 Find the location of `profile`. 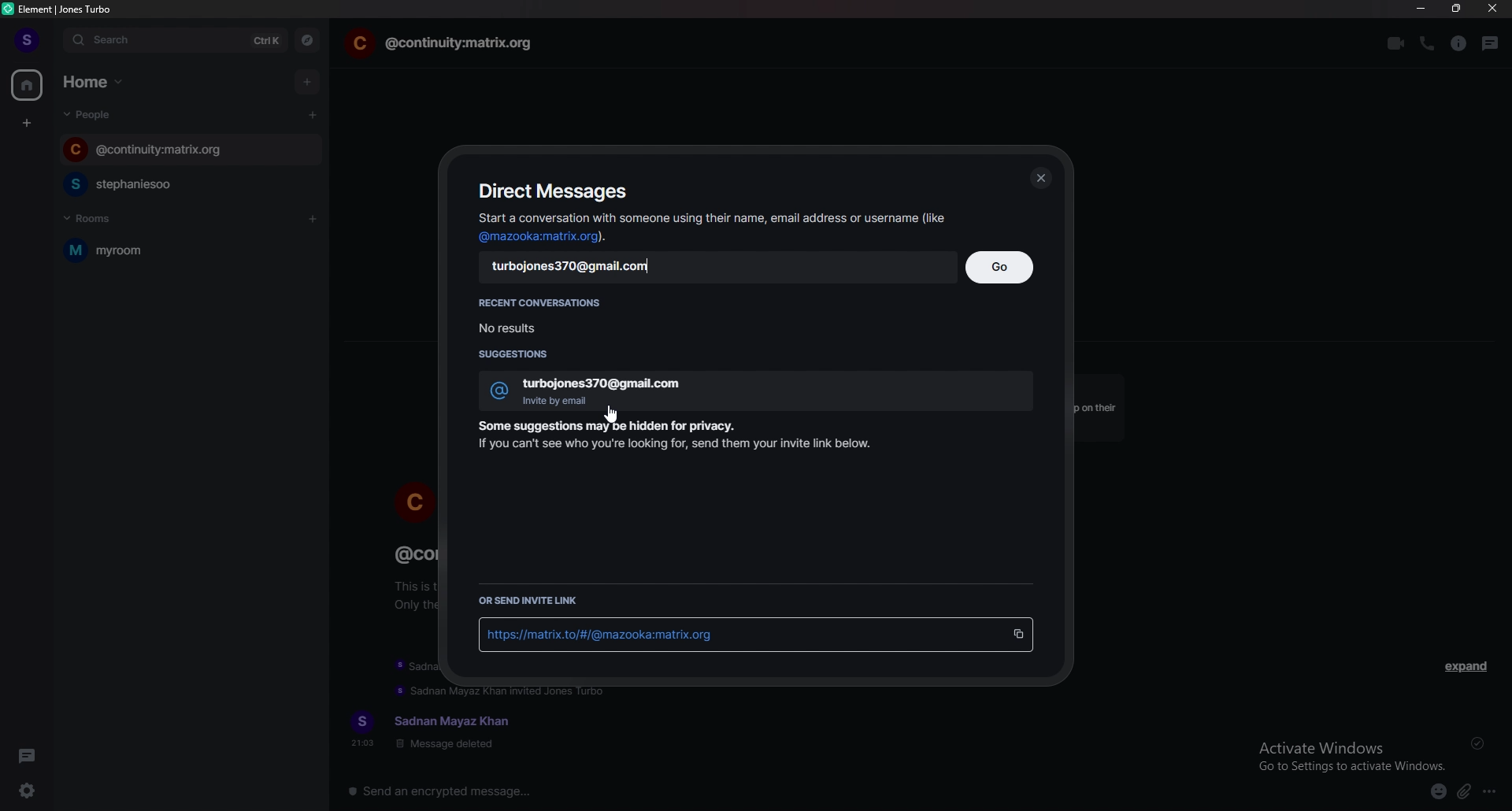

profile is located at coordinates (28, 40).